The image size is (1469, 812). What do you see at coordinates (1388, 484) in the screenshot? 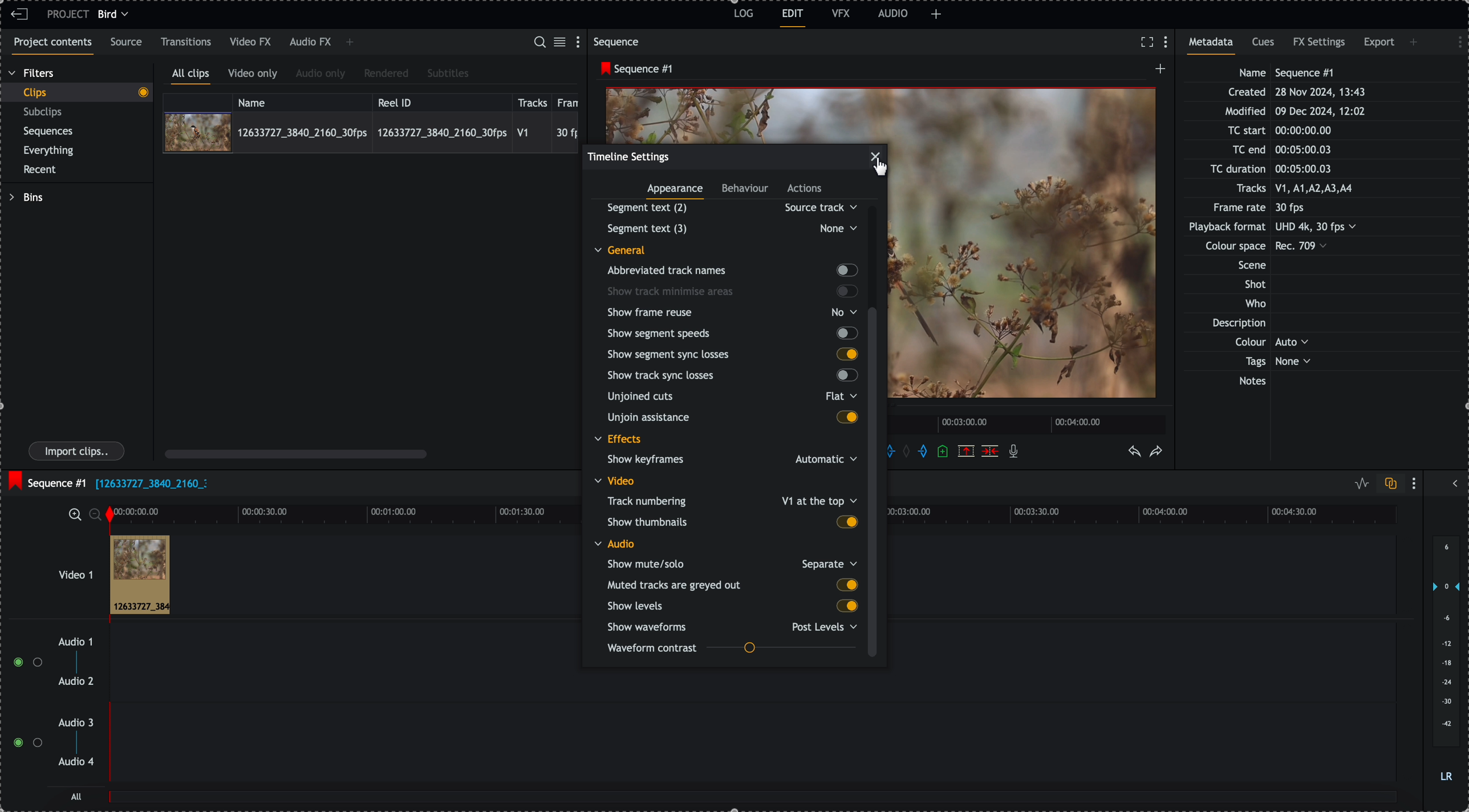
I see `toggle auto track sync` at bounding box center [1388, 484].